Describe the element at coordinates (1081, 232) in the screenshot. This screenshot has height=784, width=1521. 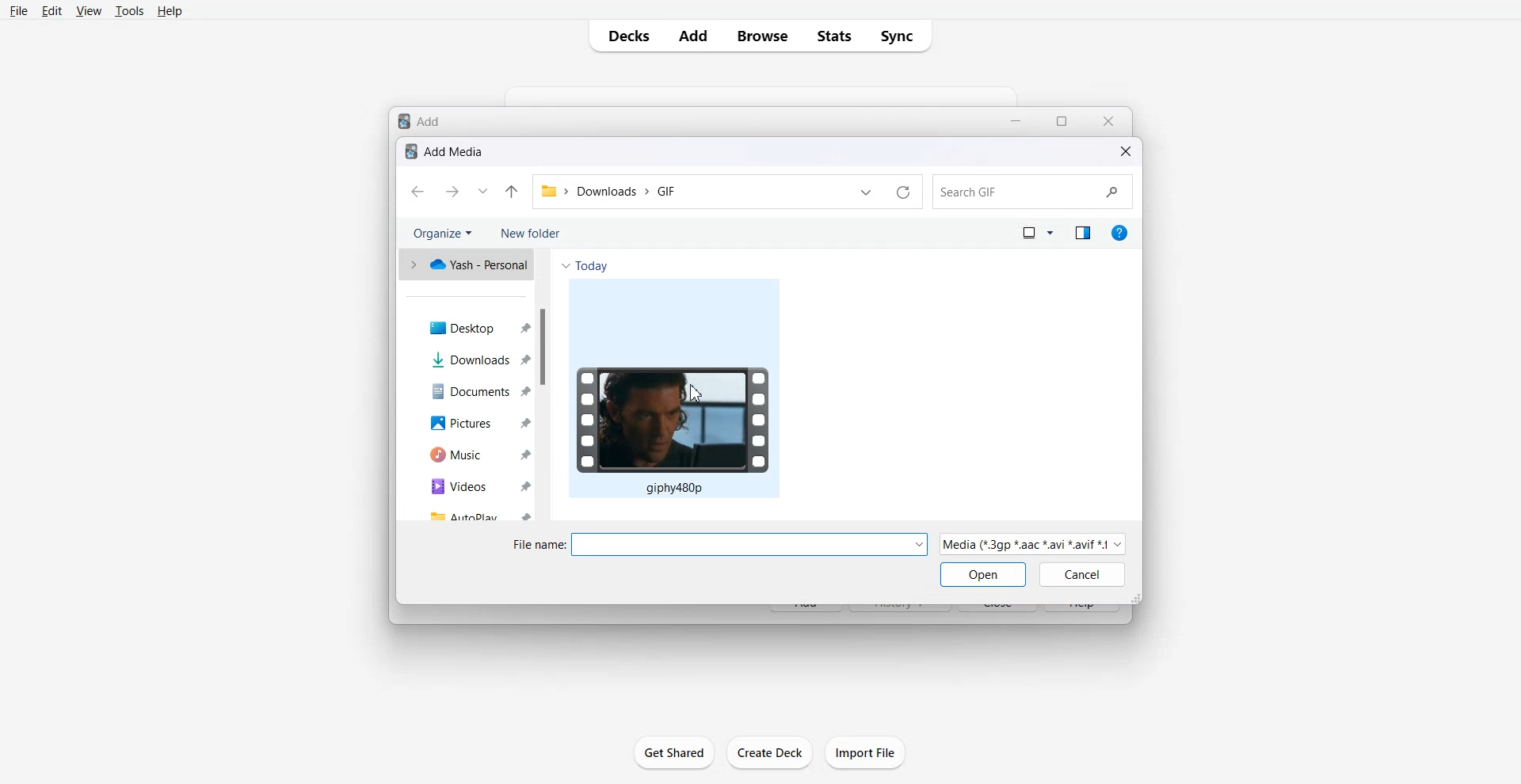
I see `Show the preview method` at that location.